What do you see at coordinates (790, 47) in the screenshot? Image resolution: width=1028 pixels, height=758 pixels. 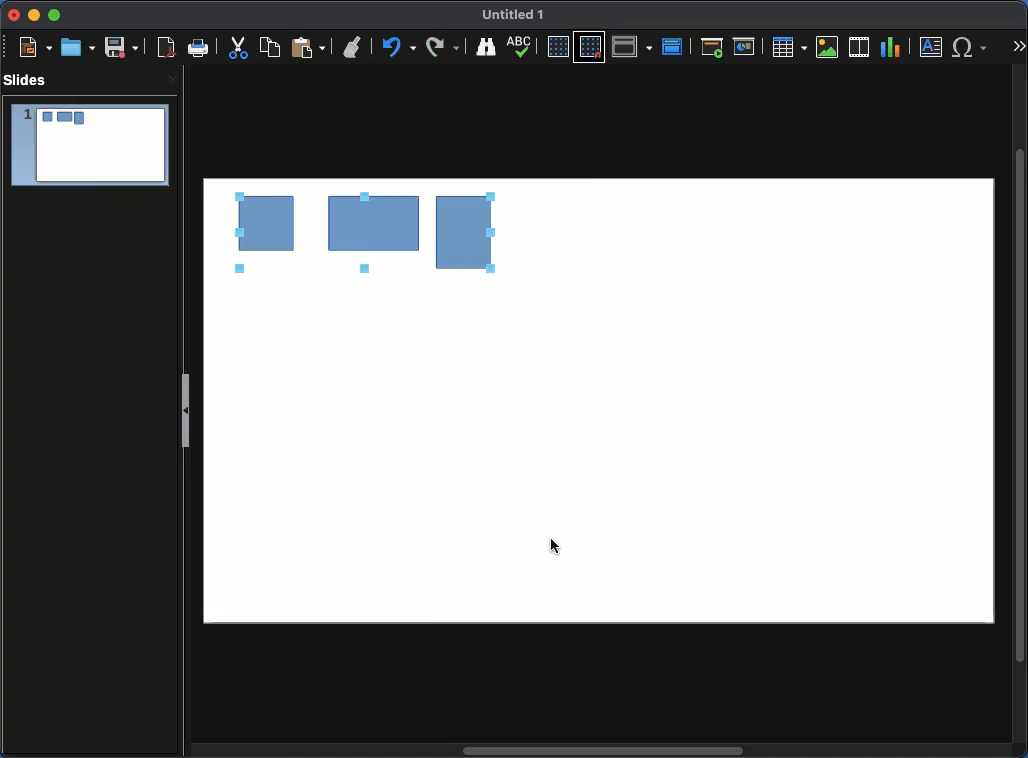 I see `Table` at bounding box center [790, 47].